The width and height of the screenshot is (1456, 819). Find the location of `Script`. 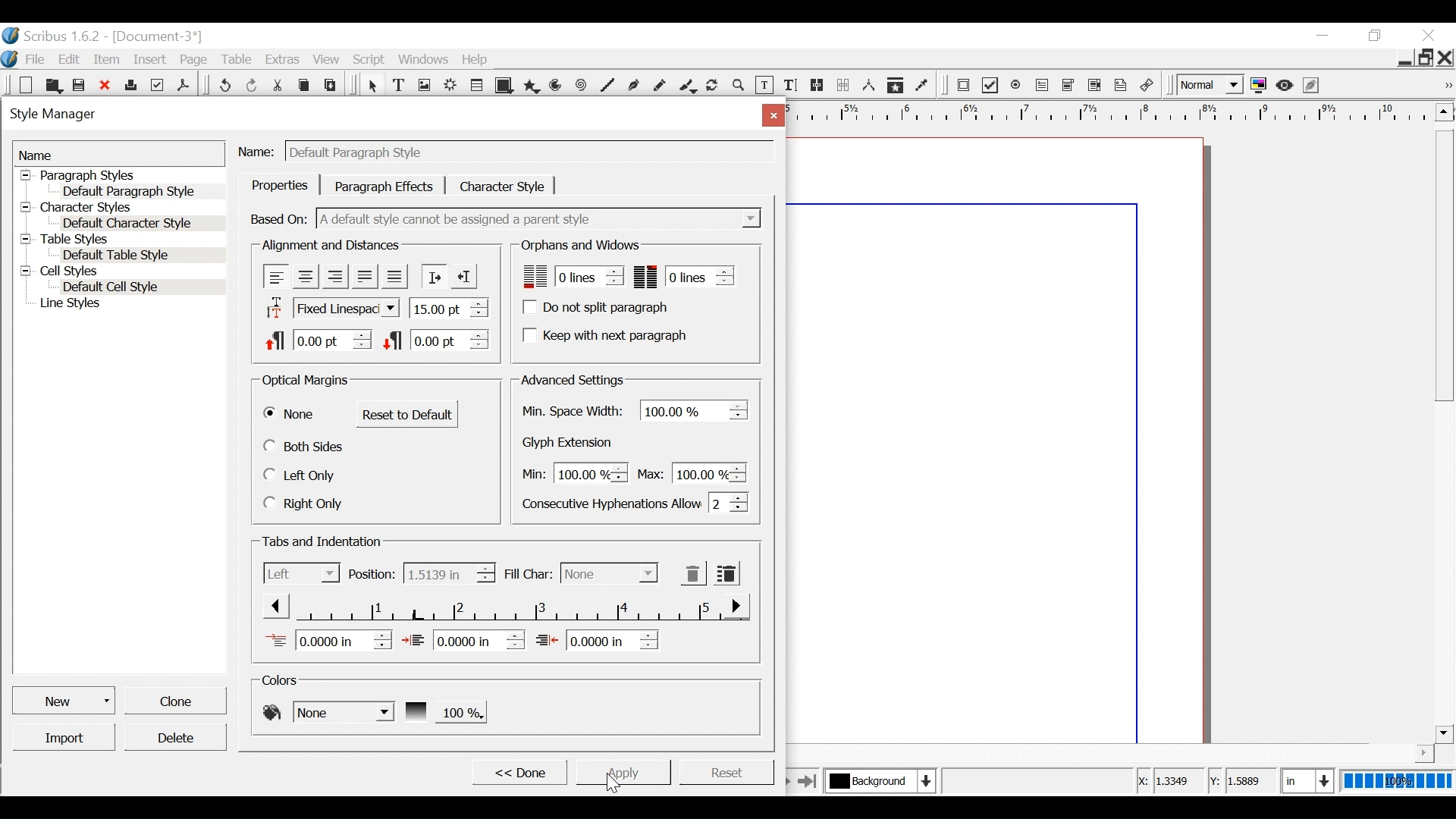

Script is located at coordinates (371, 60).